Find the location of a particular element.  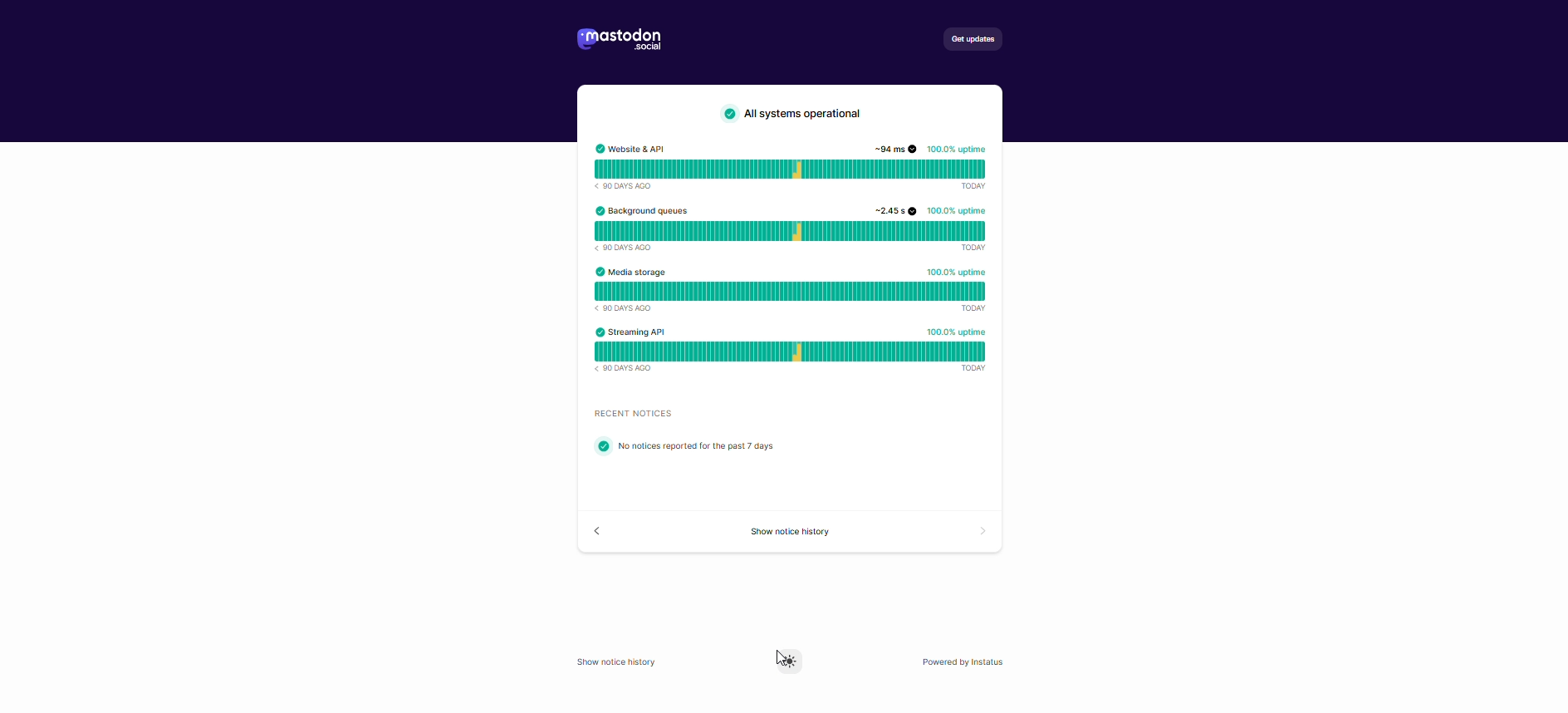

show service history is located at coordinates (619, 662).